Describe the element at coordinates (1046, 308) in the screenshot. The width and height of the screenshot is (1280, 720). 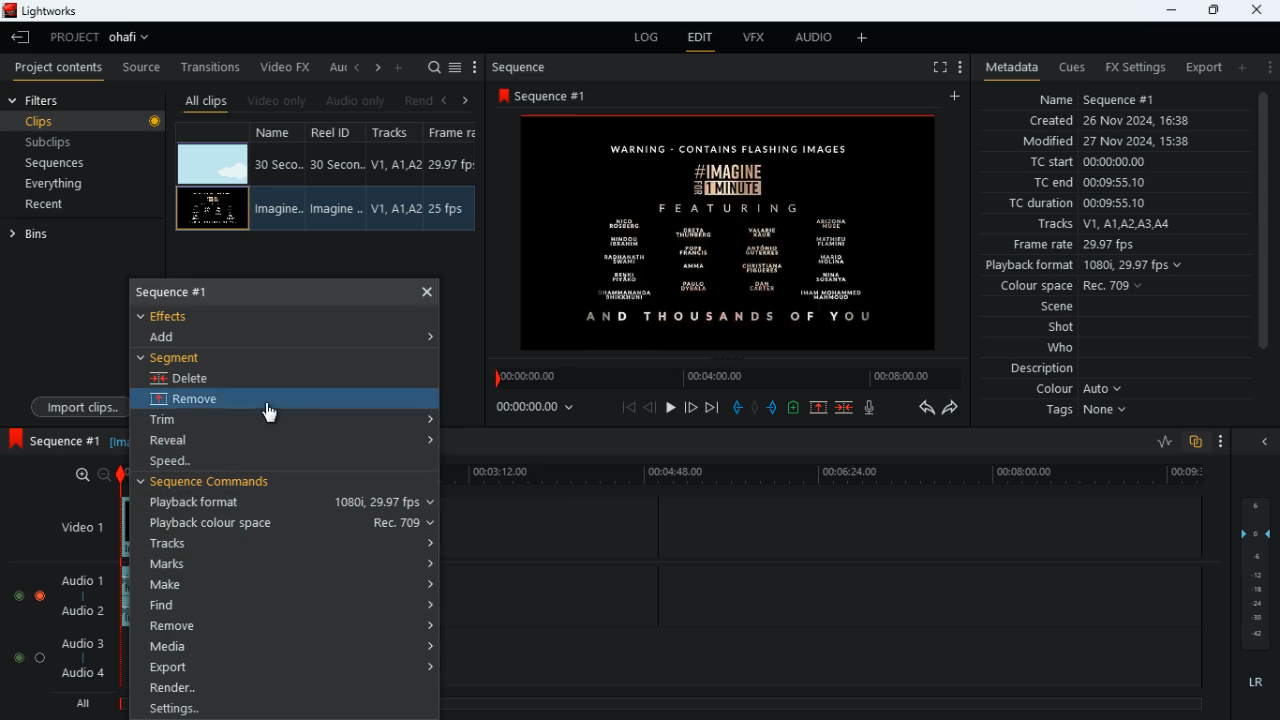
I see `scene` at that location.